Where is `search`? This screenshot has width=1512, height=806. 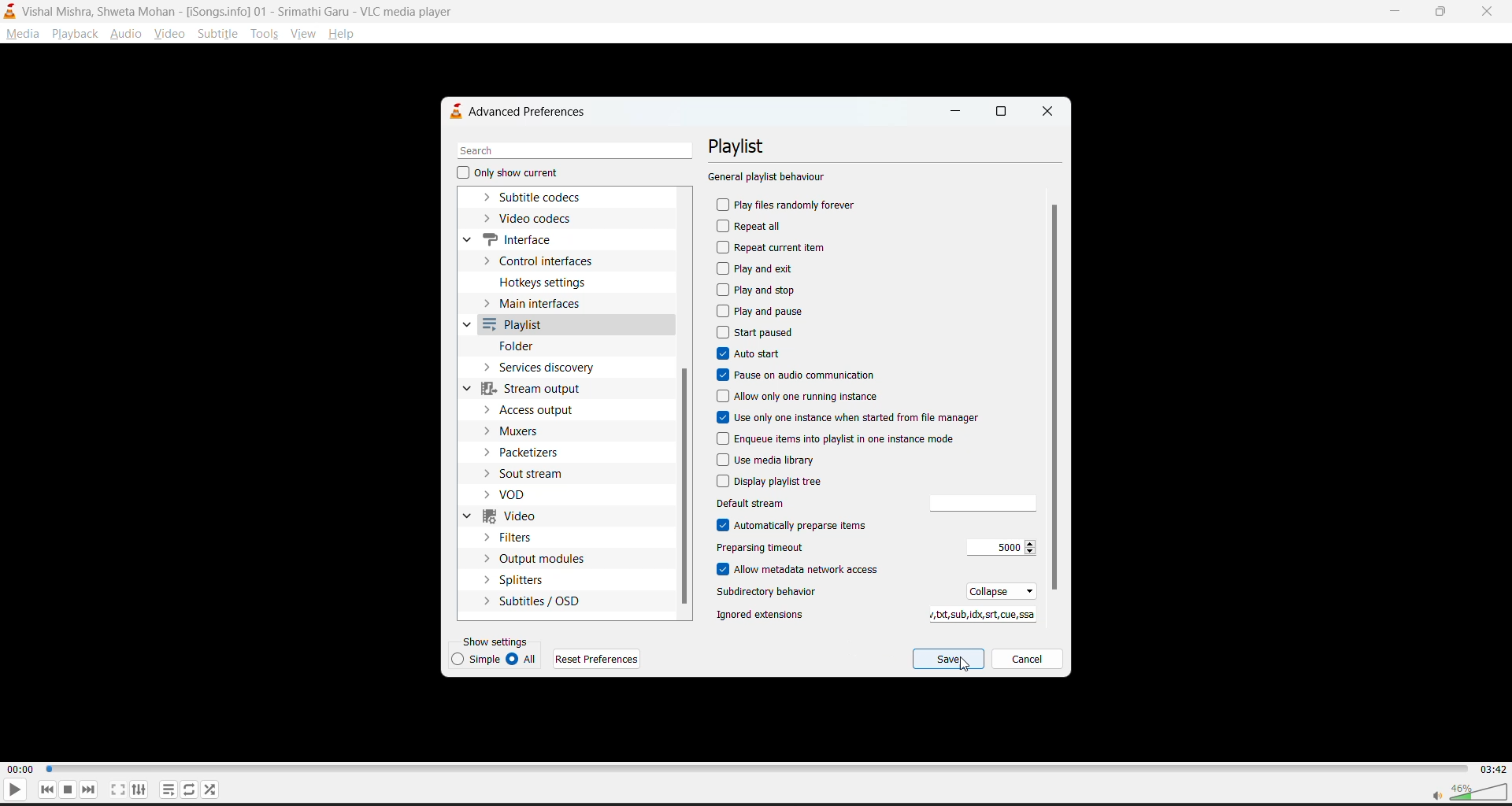
search is located at coordinates (573, 151).